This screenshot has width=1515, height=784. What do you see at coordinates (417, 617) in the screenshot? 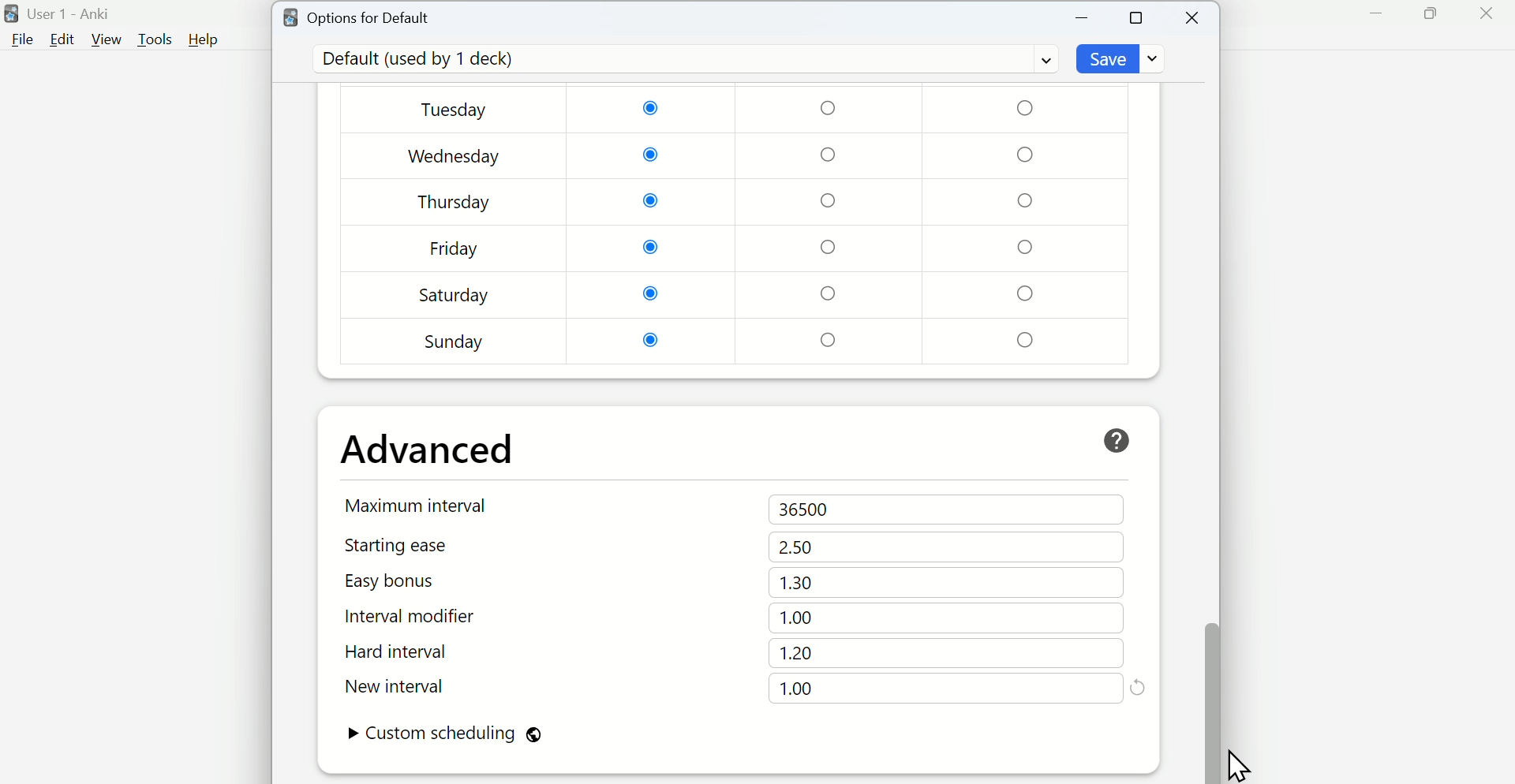
I see `Interval modifier` at bounding box center [417, 617].